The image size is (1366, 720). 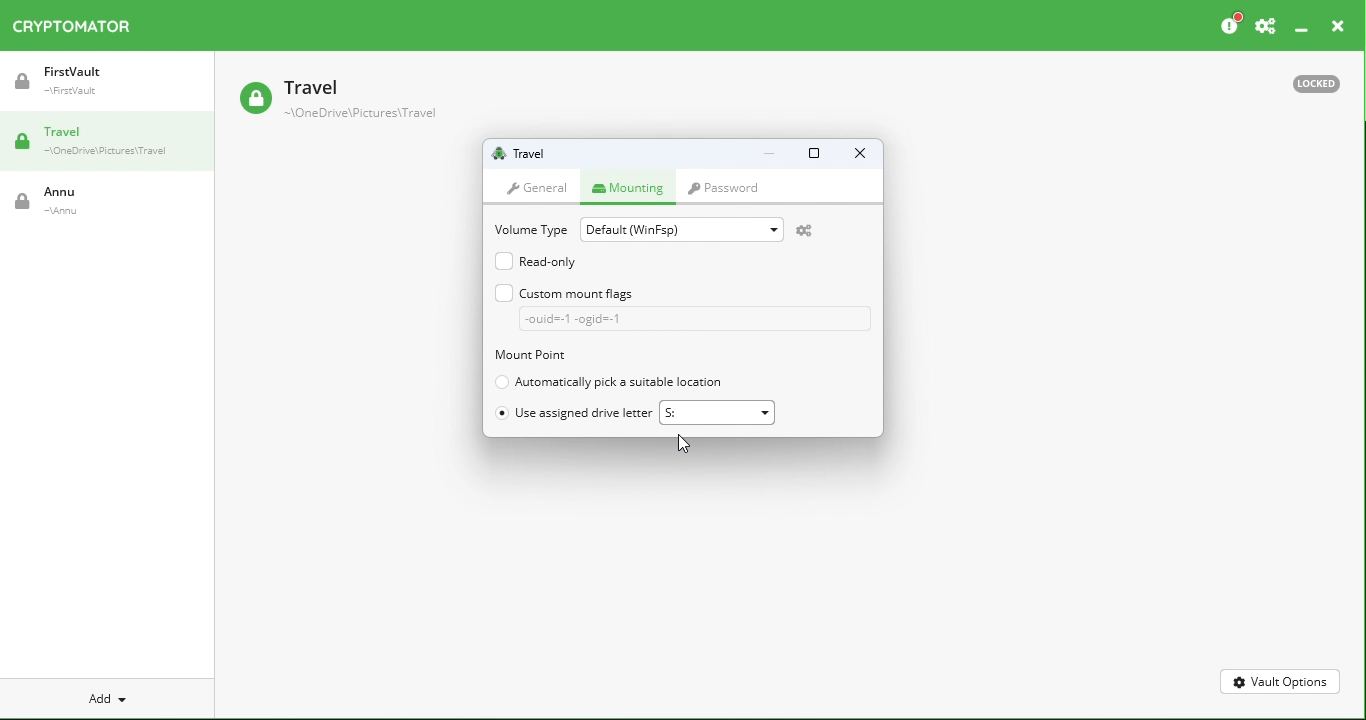 I want to click on S:, so click(x=721, y=411).